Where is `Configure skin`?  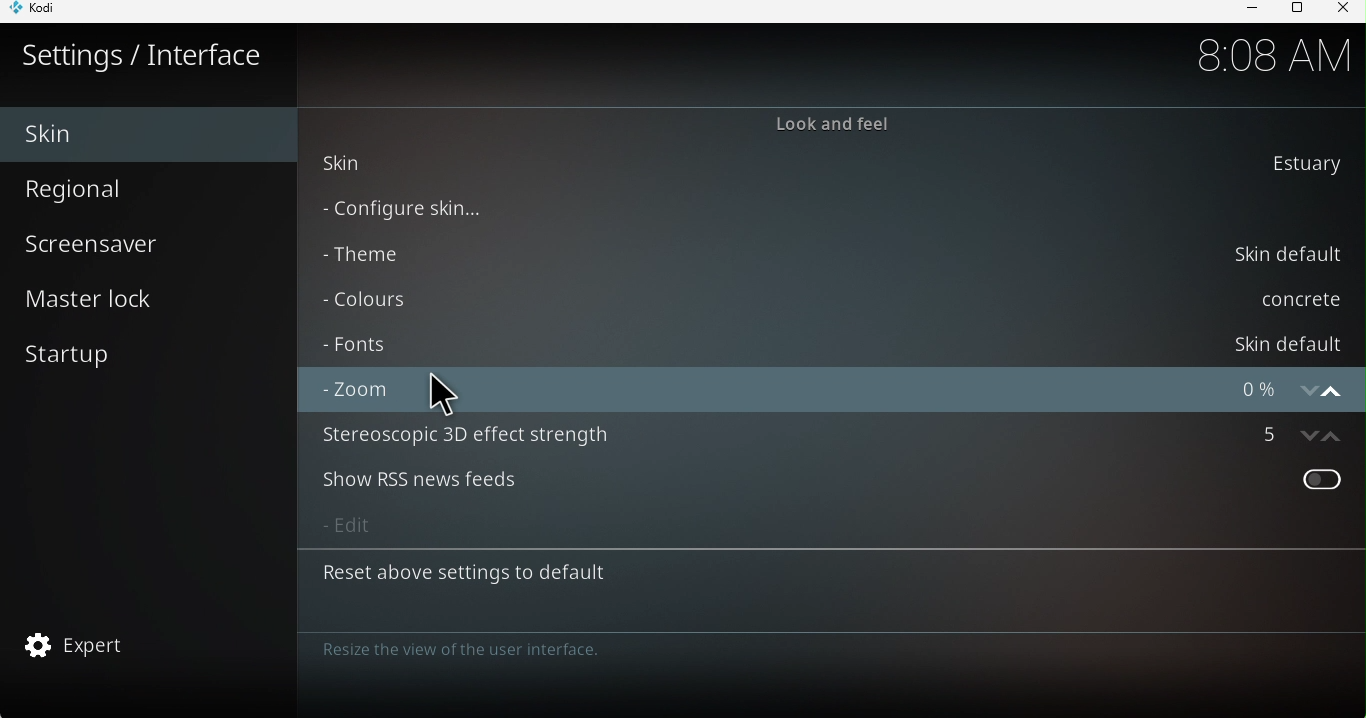 Configure skin is located at coordinates (824, 208).